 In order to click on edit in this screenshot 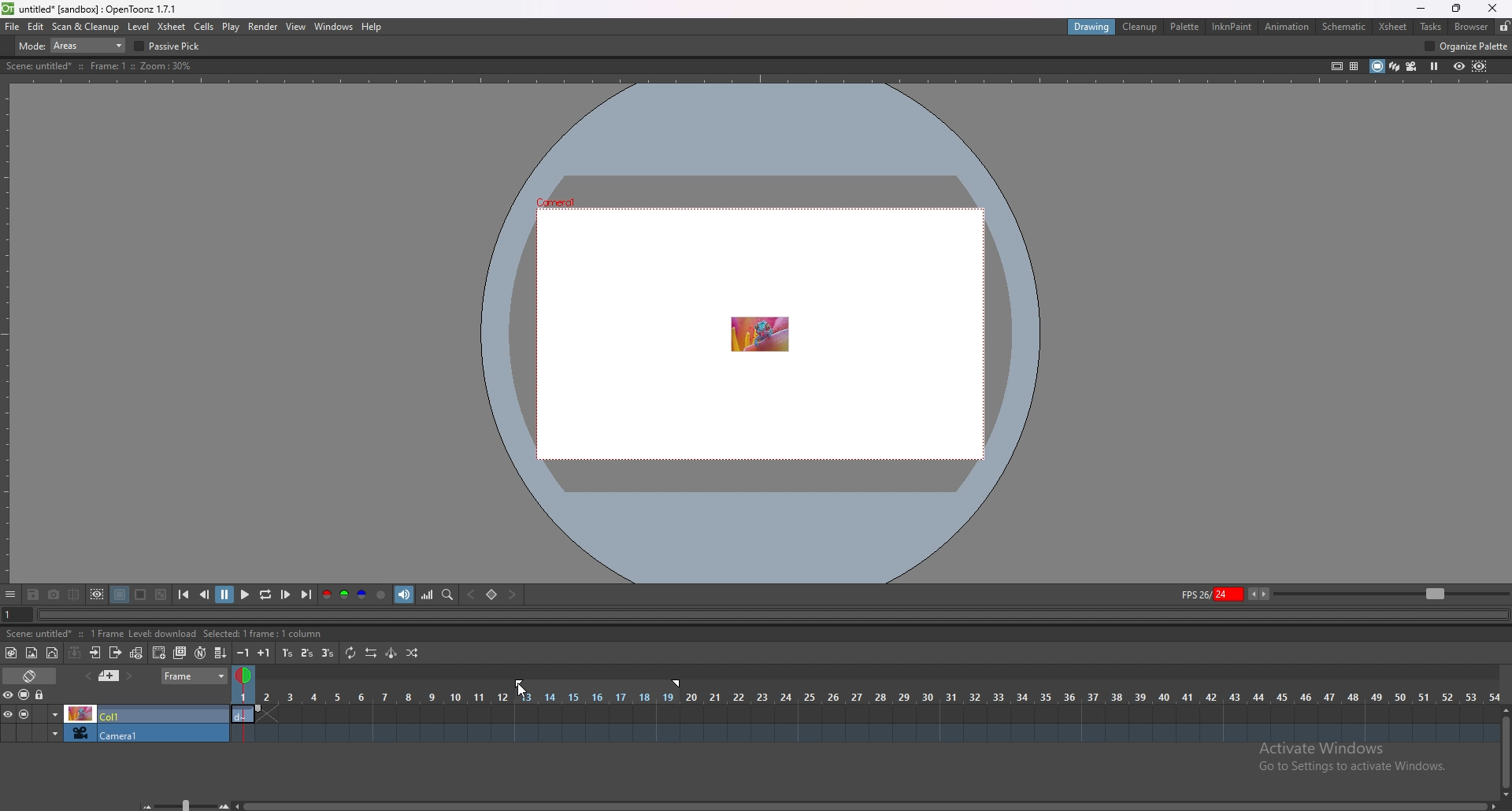, I will do `click(36, 27)`.